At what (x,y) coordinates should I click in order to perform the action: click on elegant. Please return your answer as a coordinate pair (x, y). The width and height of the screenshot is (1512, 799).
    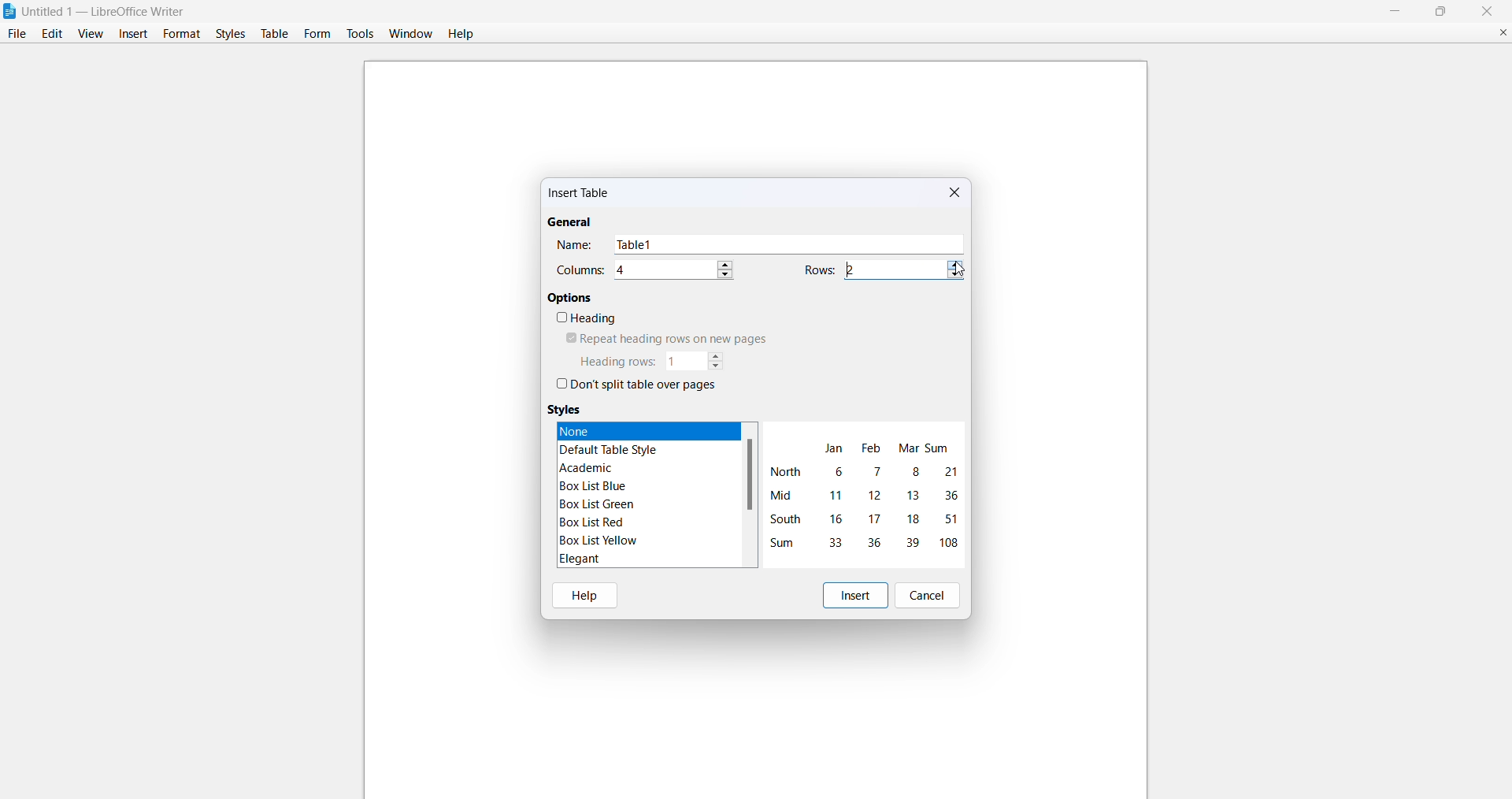
    Looking at the image, I should click on (578, 559).